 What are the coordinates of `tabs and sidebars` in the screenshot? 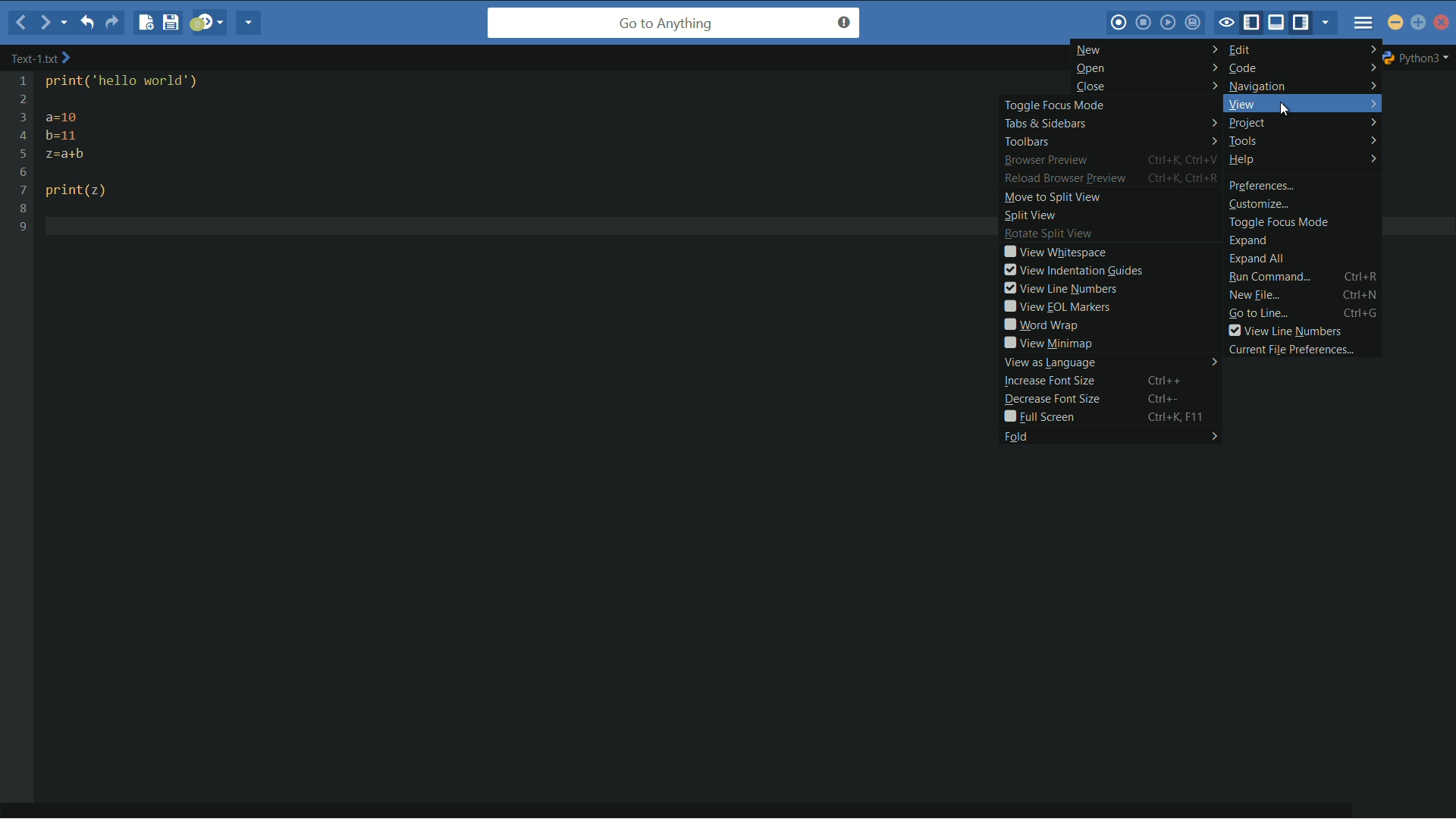 It's located at (1112, 124).